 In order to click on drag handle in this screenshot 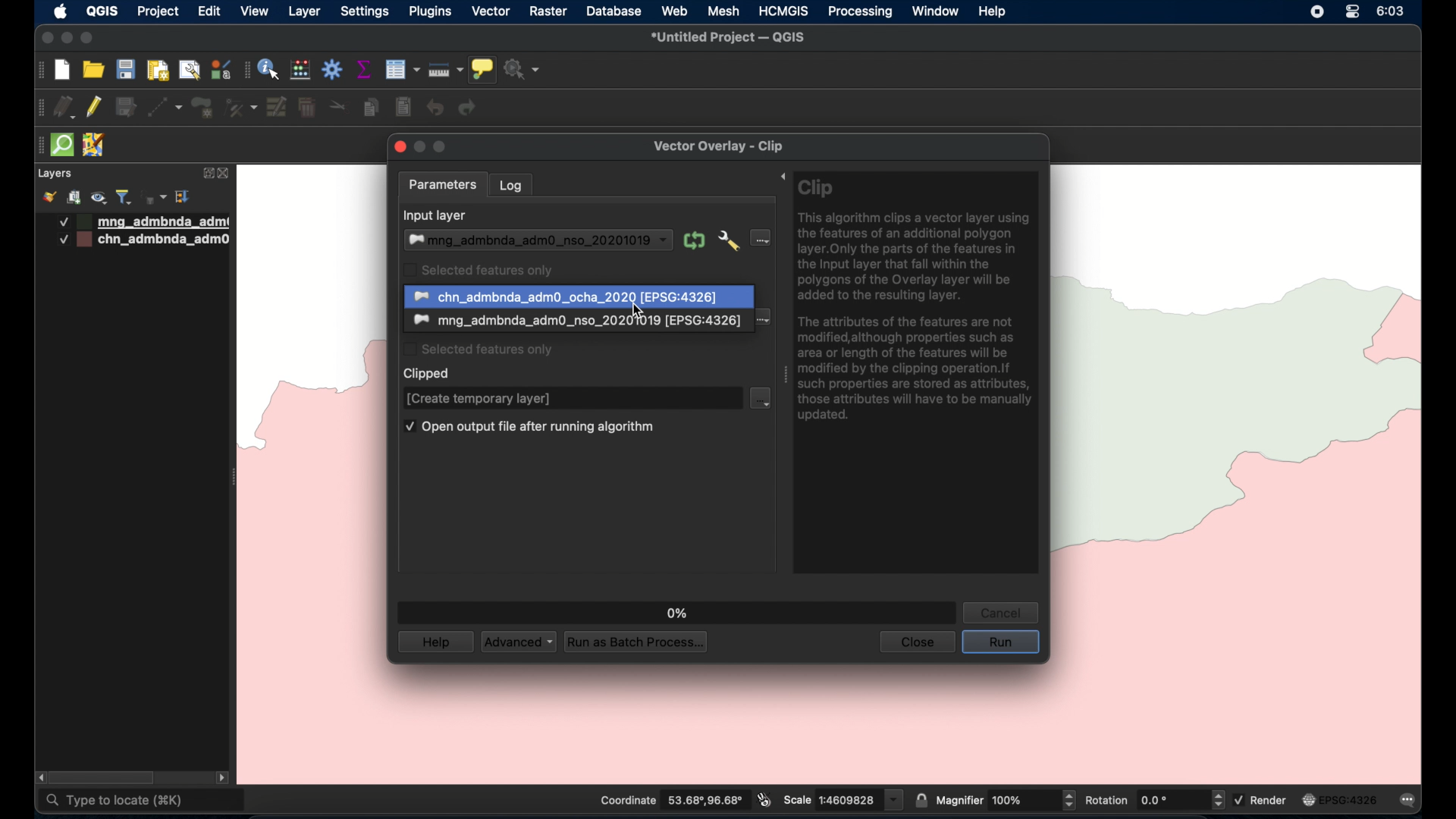, I will do `click(37, 146)`.